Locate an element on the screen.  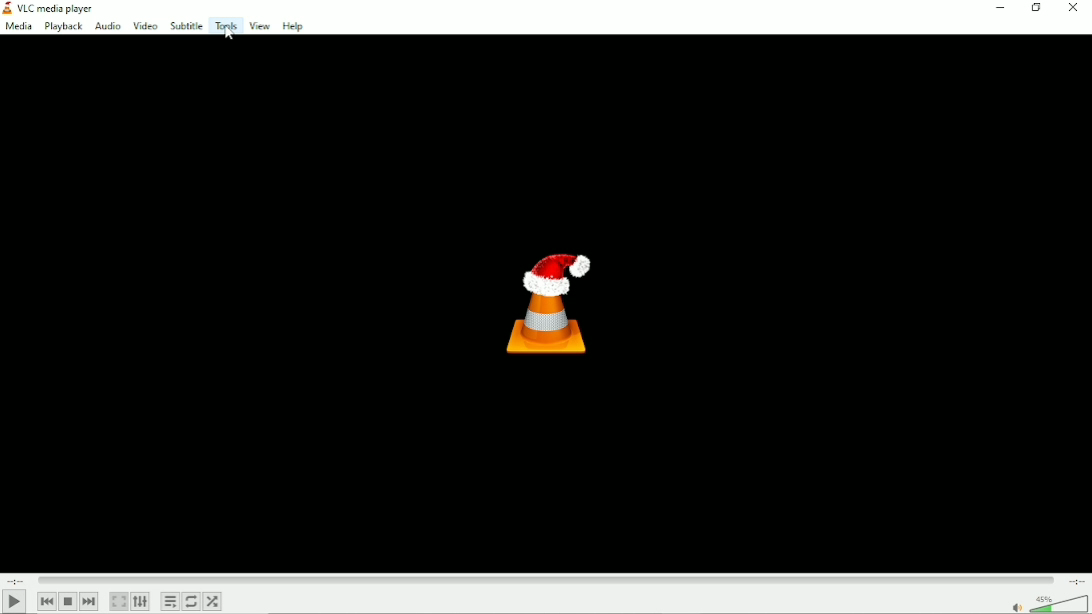
random is located at coordinates (214, 601).